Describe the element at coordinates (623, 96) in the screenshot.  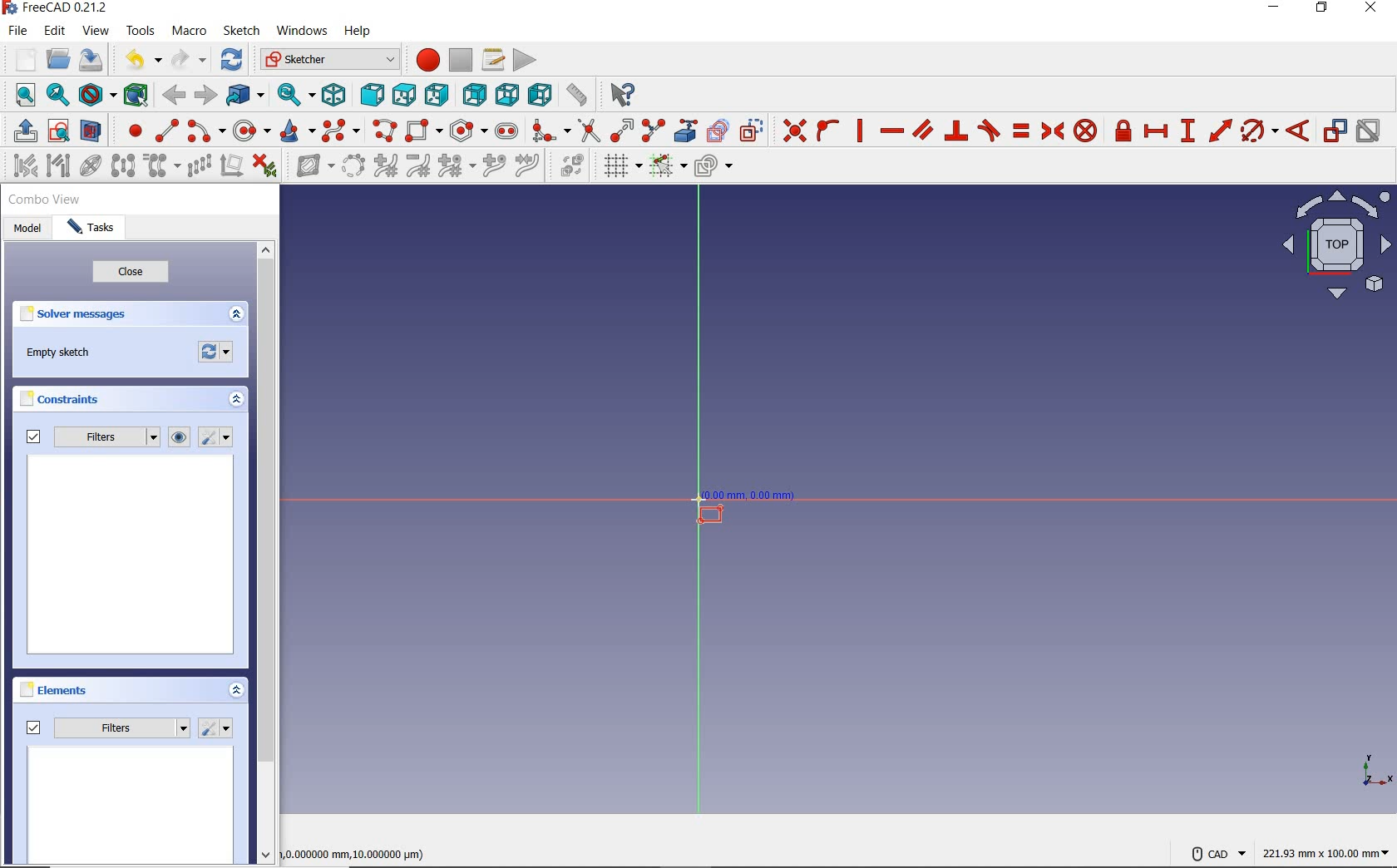
I see `what's this?` at that location.